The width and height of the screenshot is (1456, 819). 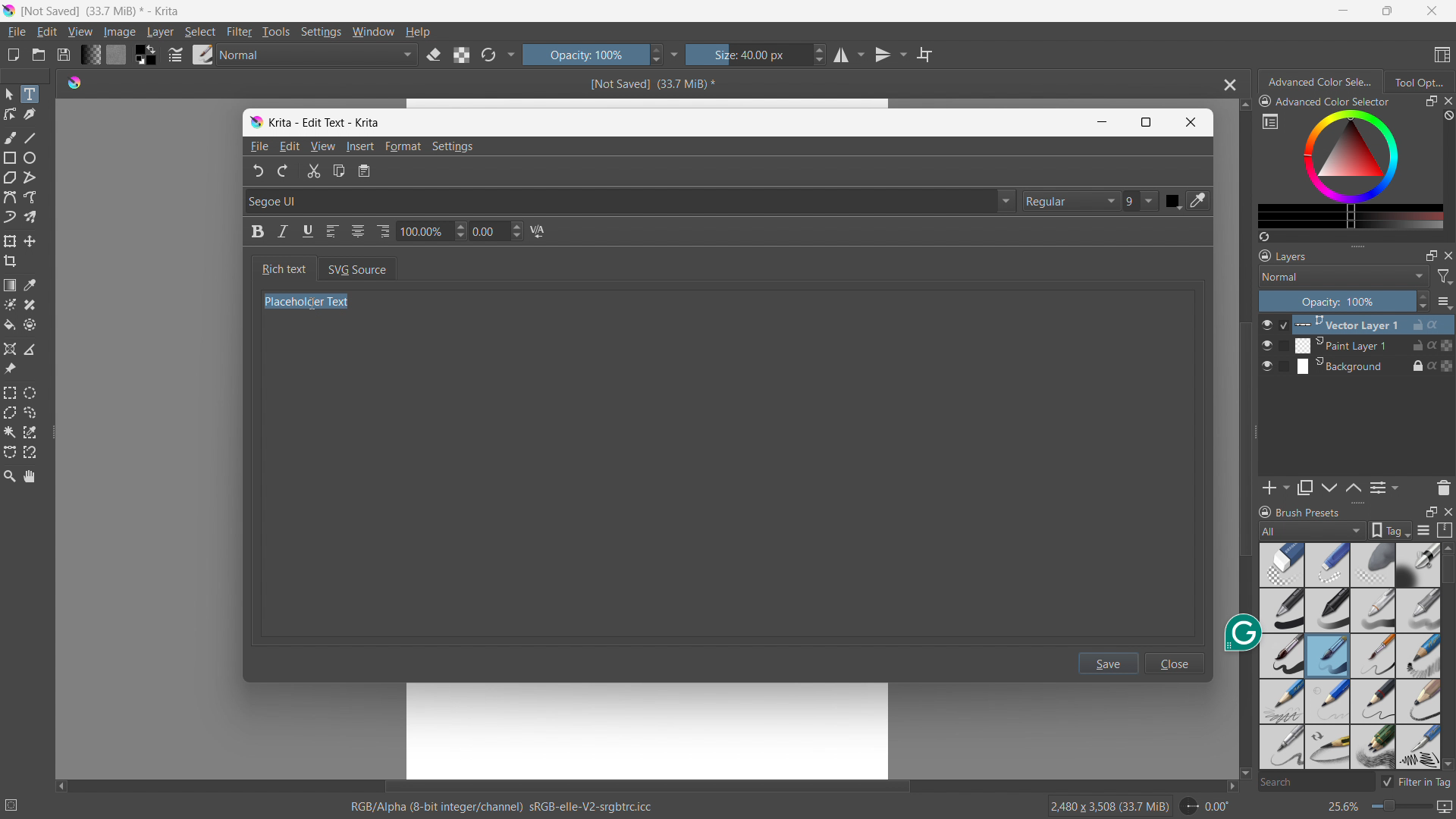 What do you see at coordinates (366, 171) in the screenshot?
I see `paste` at bounding box center [366, 171].